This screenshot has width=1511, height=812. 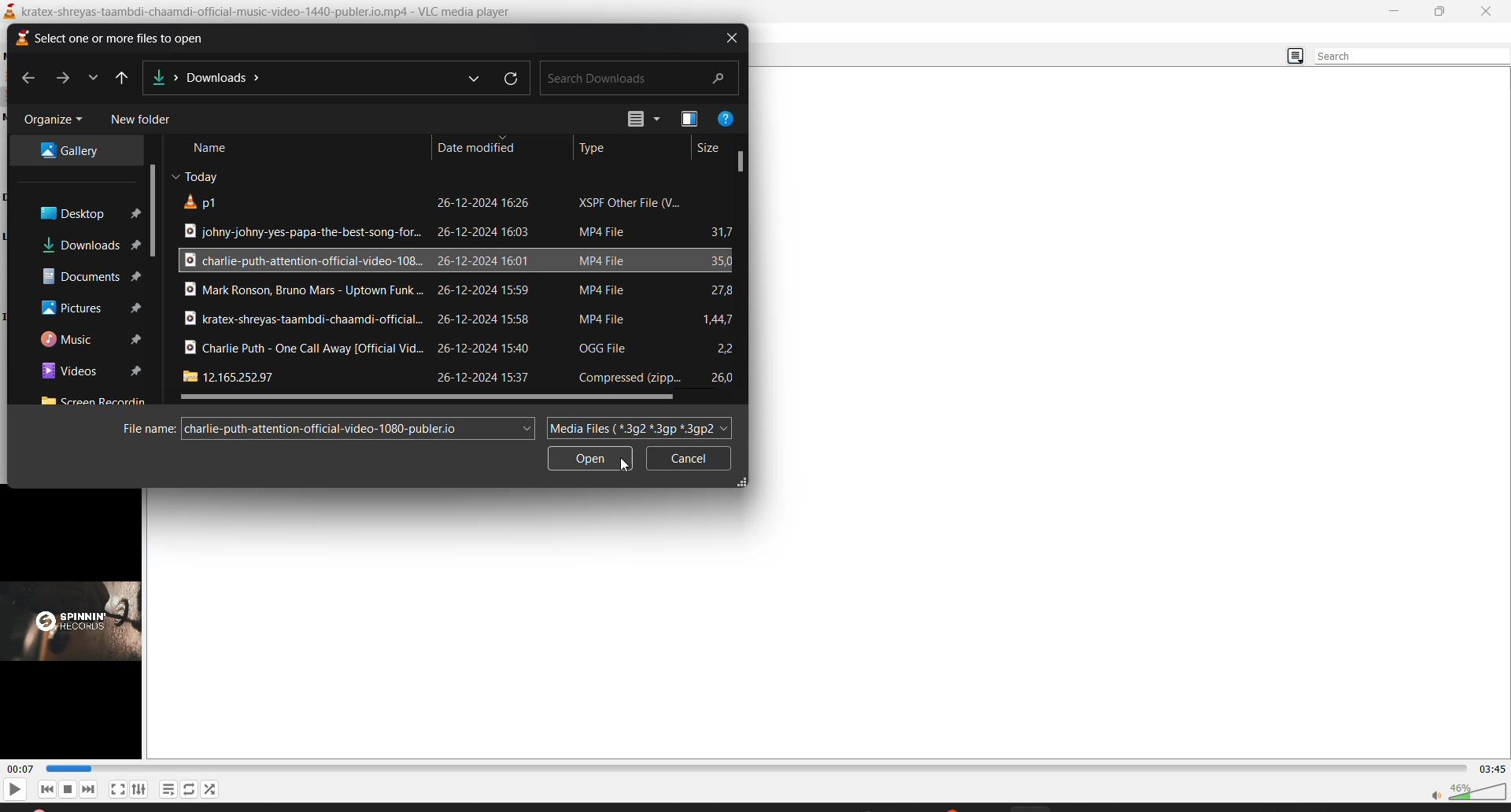 I want to click on name, so click(x=217, y=147).